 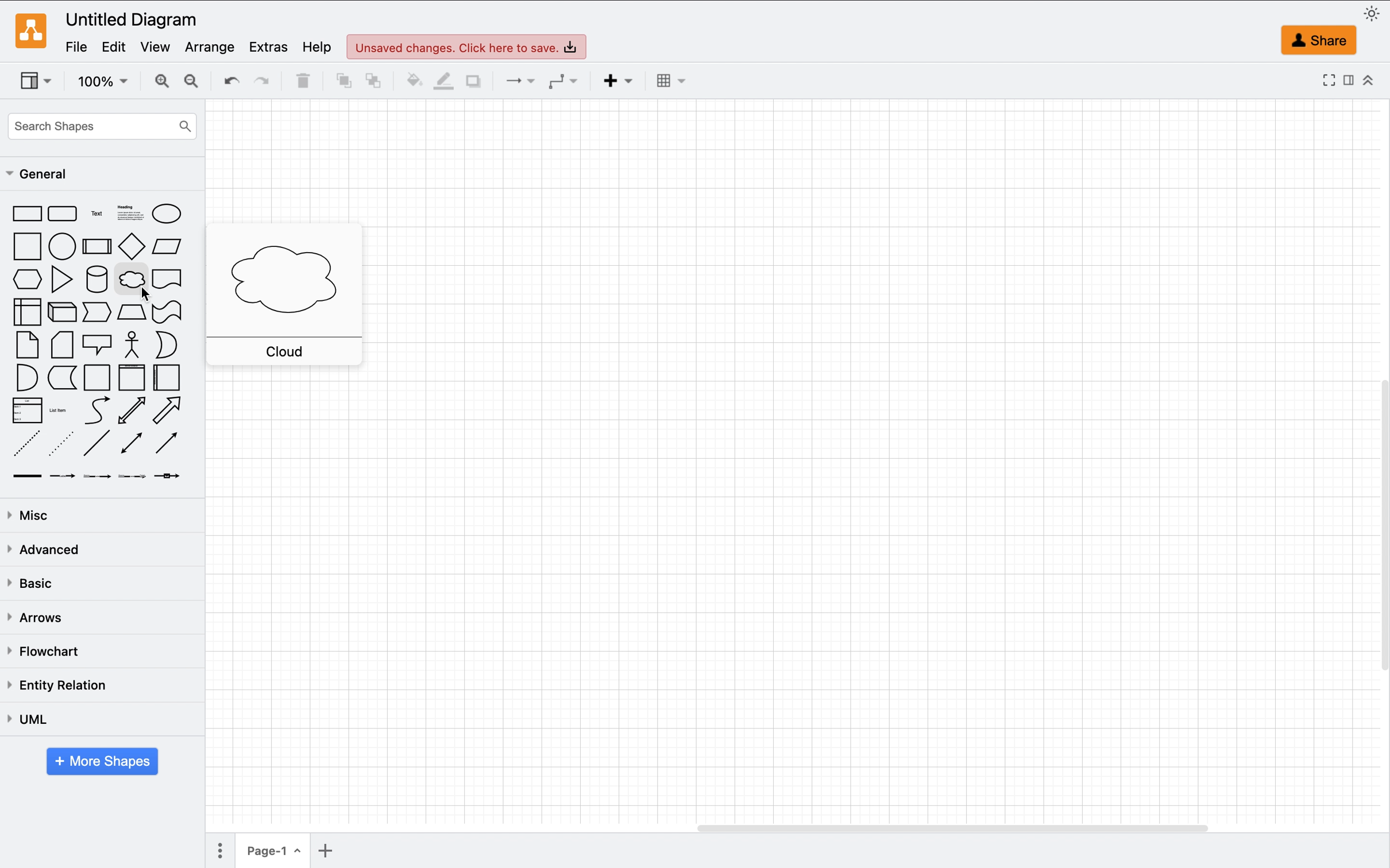 What do you see at coordinates (135, 478) in the screenshot?
I see `connector with three labels` at bounding box center [135, 478].